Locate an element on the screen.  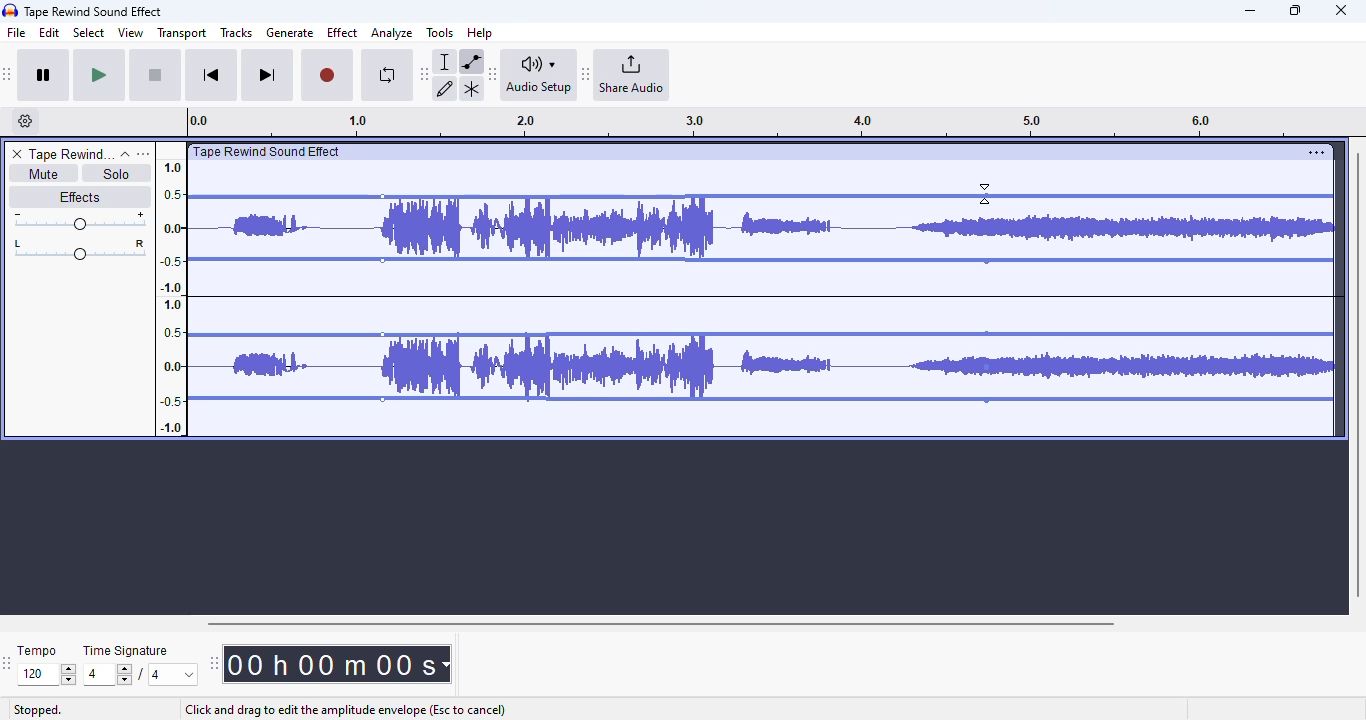
enable looping is located at coordinates (386, 75).